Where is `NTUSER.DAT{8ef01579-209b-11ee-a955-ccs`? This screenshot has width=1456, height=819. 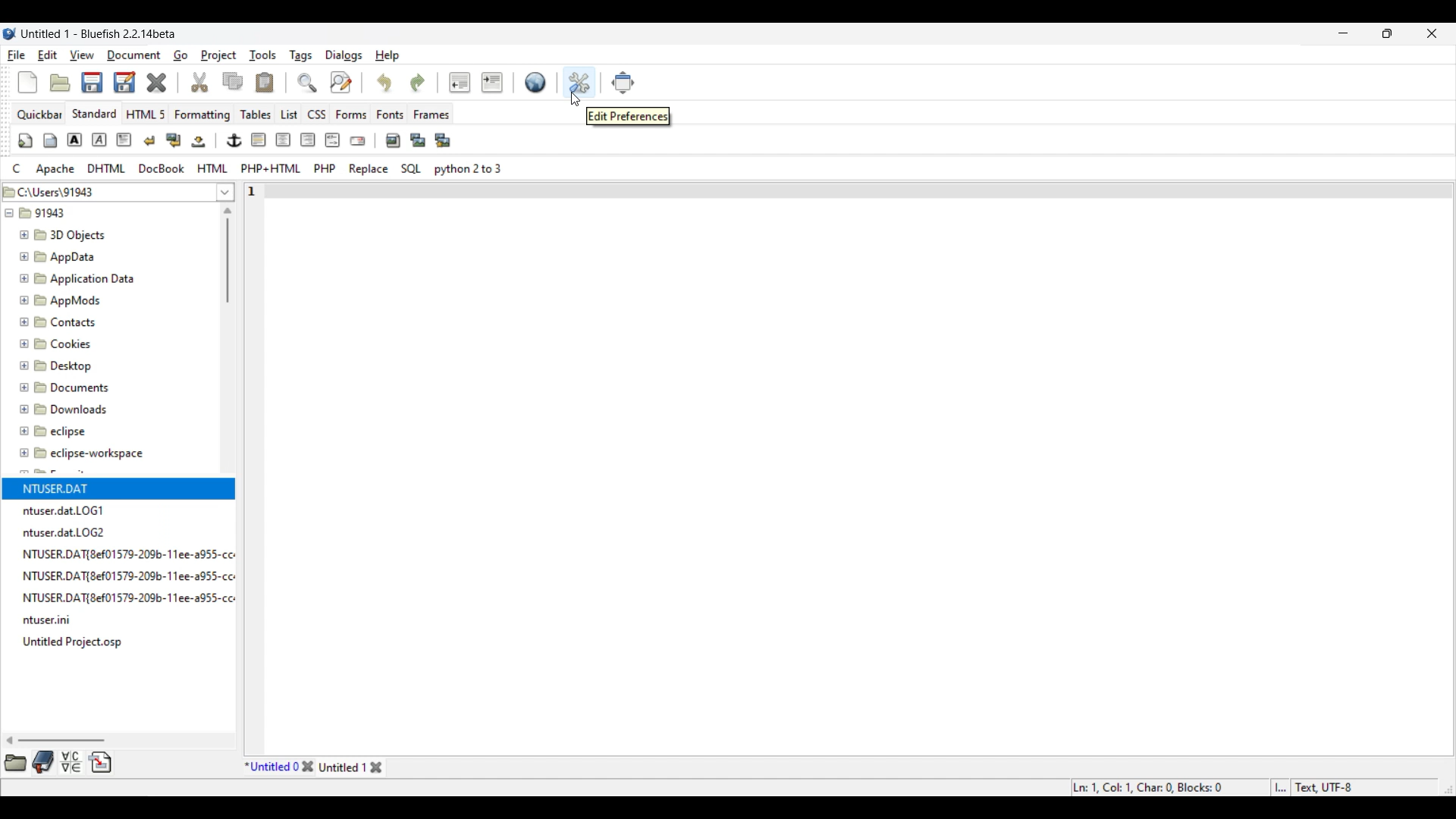
NTUSER.DAT{8ef01579-209b-11ee-a955-ccs is located at coordinates (140, 598).